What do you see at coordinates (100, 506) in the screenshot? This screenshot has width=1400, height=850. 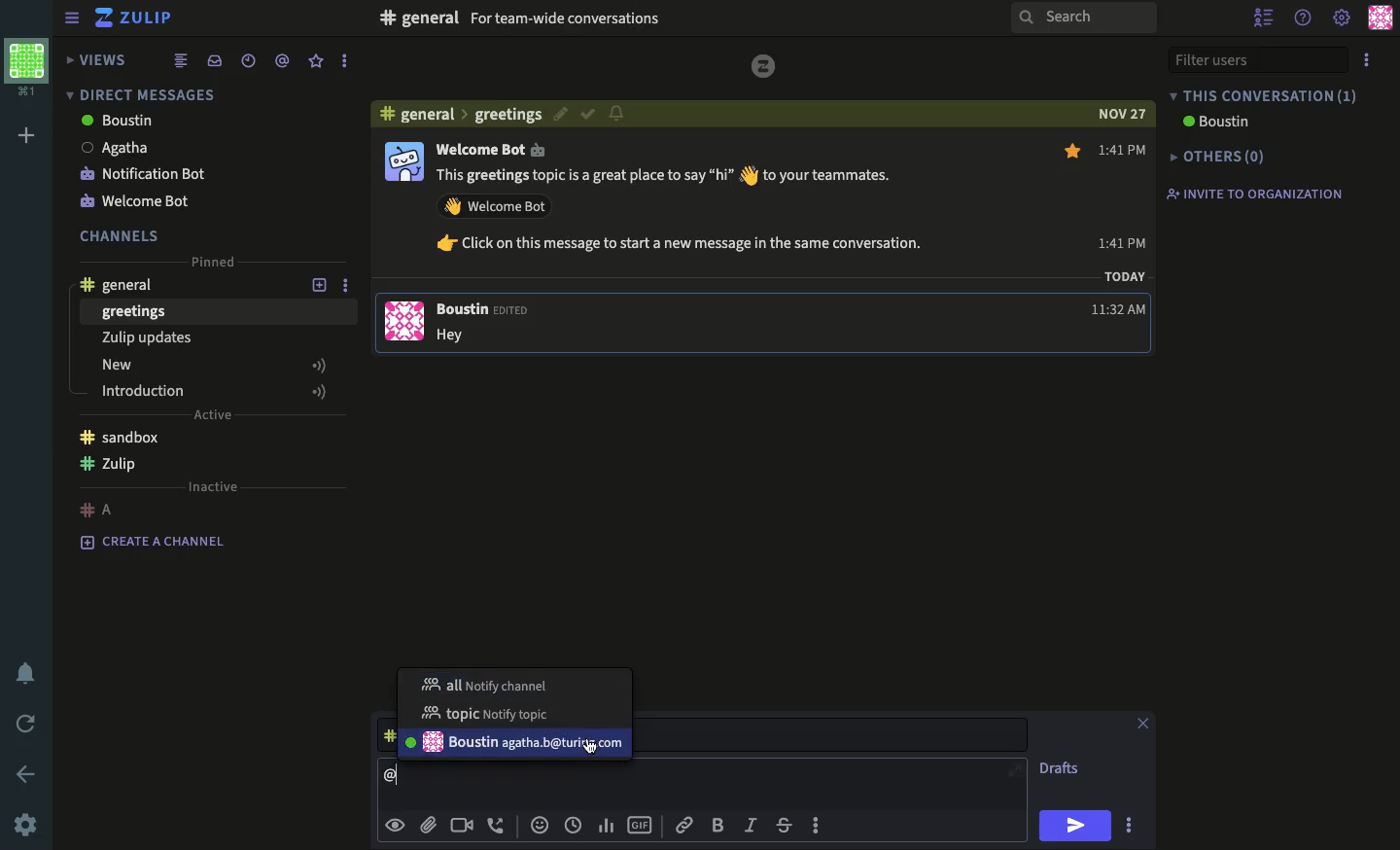 I see `#A` at bounding box center [100, 506].